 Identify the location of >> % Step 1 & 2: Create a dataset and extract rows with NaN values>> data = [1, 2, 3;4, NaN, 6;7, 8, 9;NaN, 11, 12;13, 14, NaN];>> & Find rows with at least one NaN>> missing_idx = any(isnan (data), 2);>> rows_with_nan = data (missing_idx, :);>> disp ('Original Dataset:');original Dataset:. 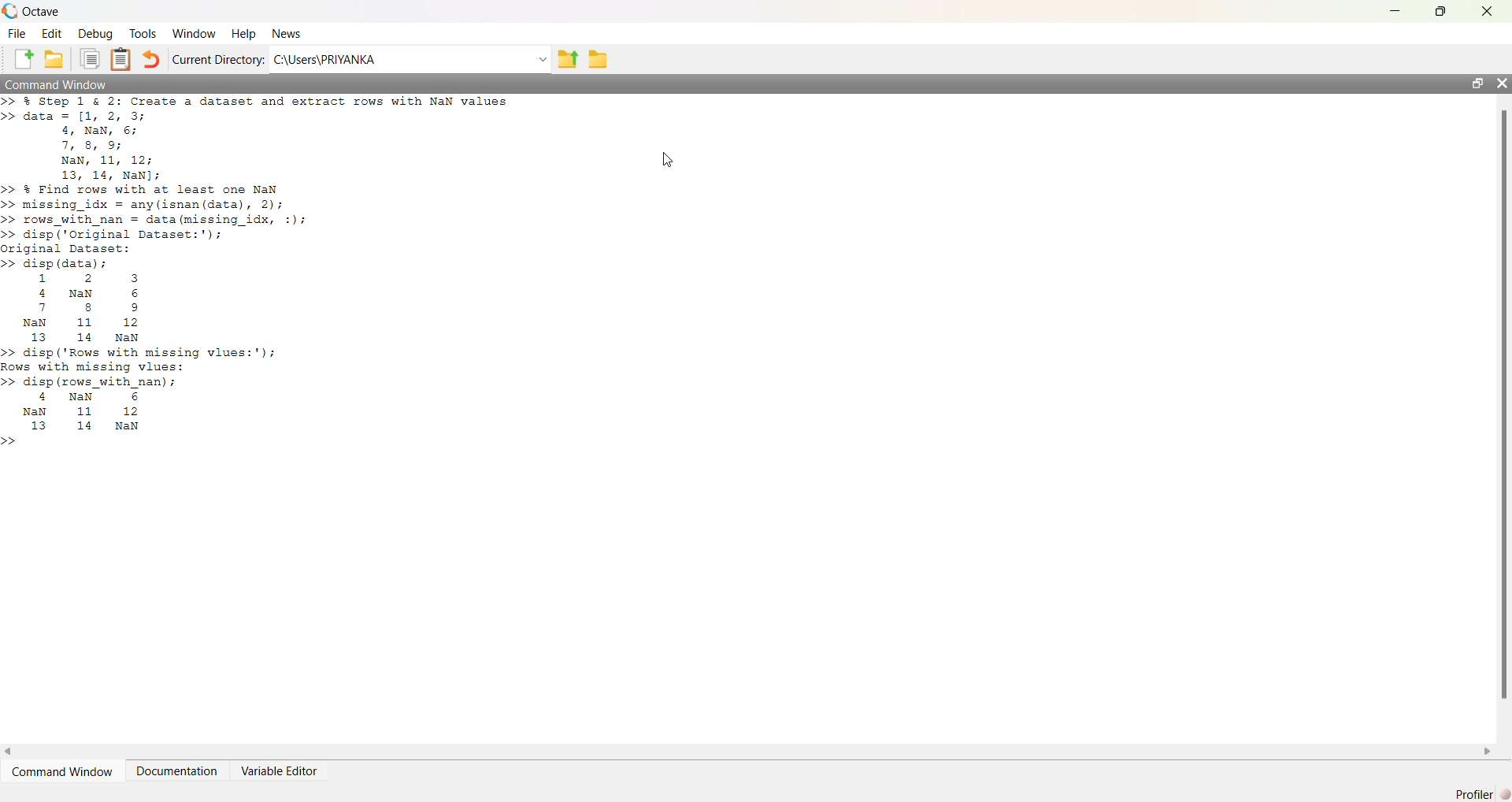
(259, 174).